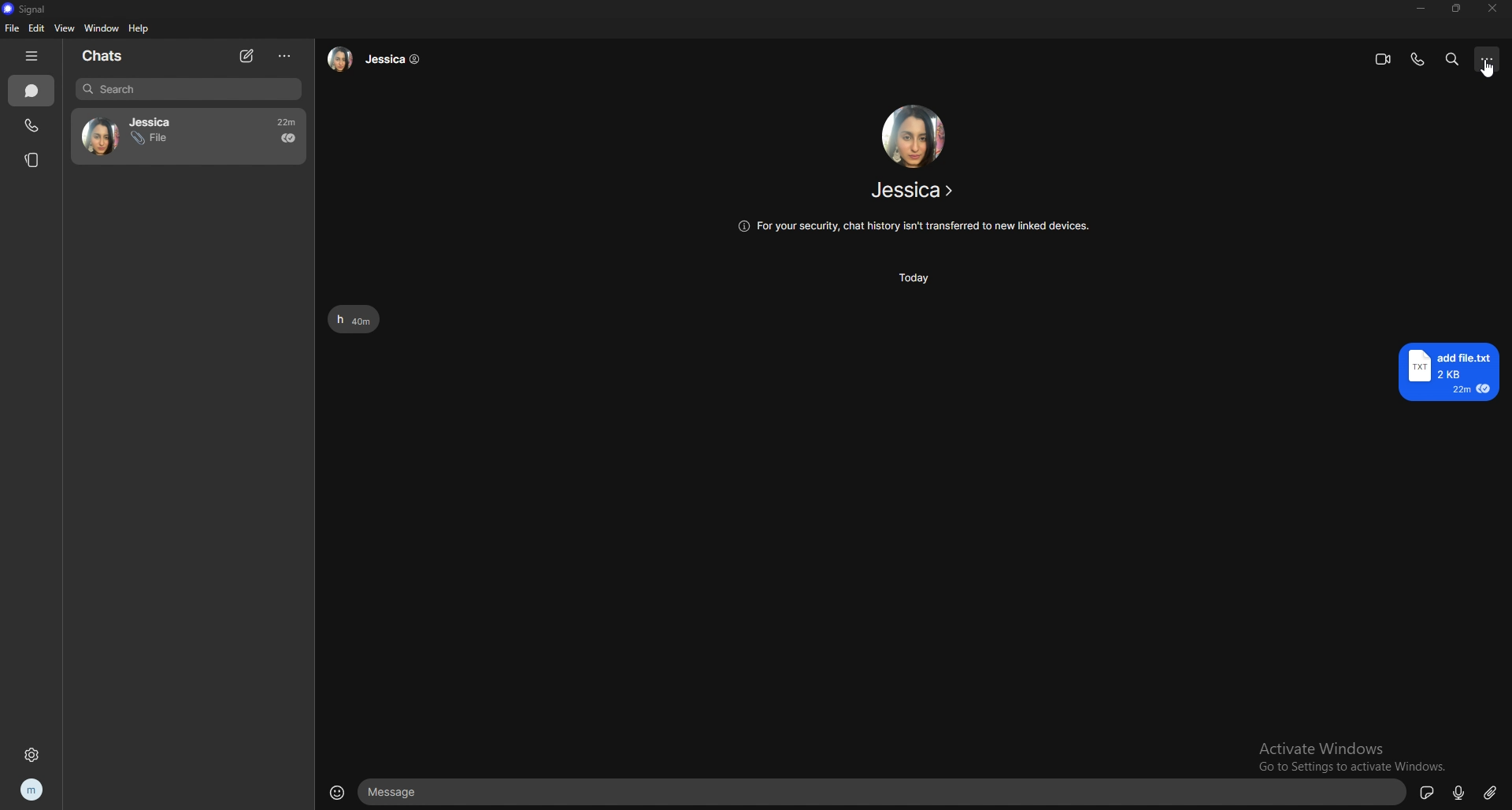 Image resolution: width=1512 pixels, height=810 pixels. I want to click on signal, so click(27, 9).